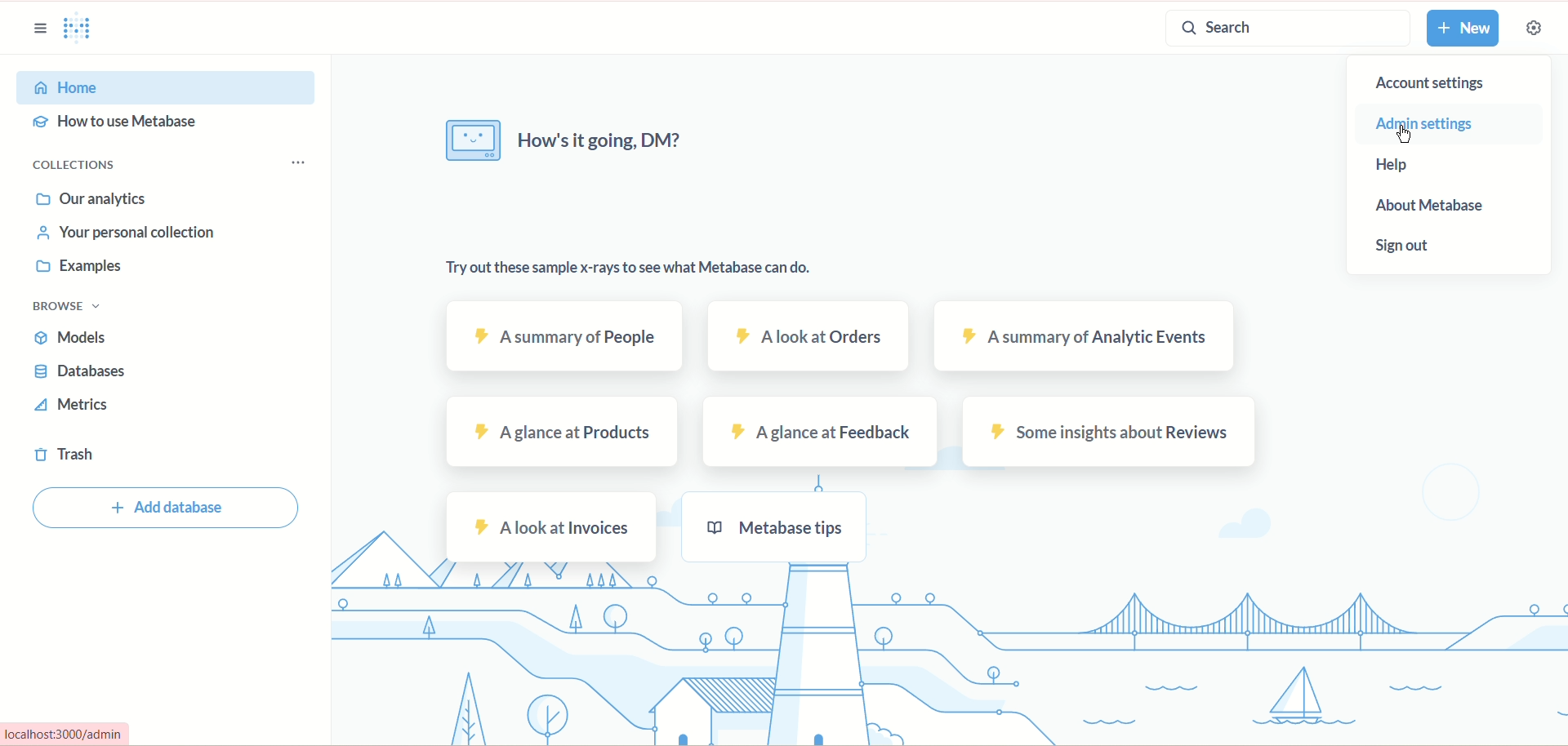 The width and height of the screenshot is (1568, 746). I want to click on cursor, so click(1405, 135).